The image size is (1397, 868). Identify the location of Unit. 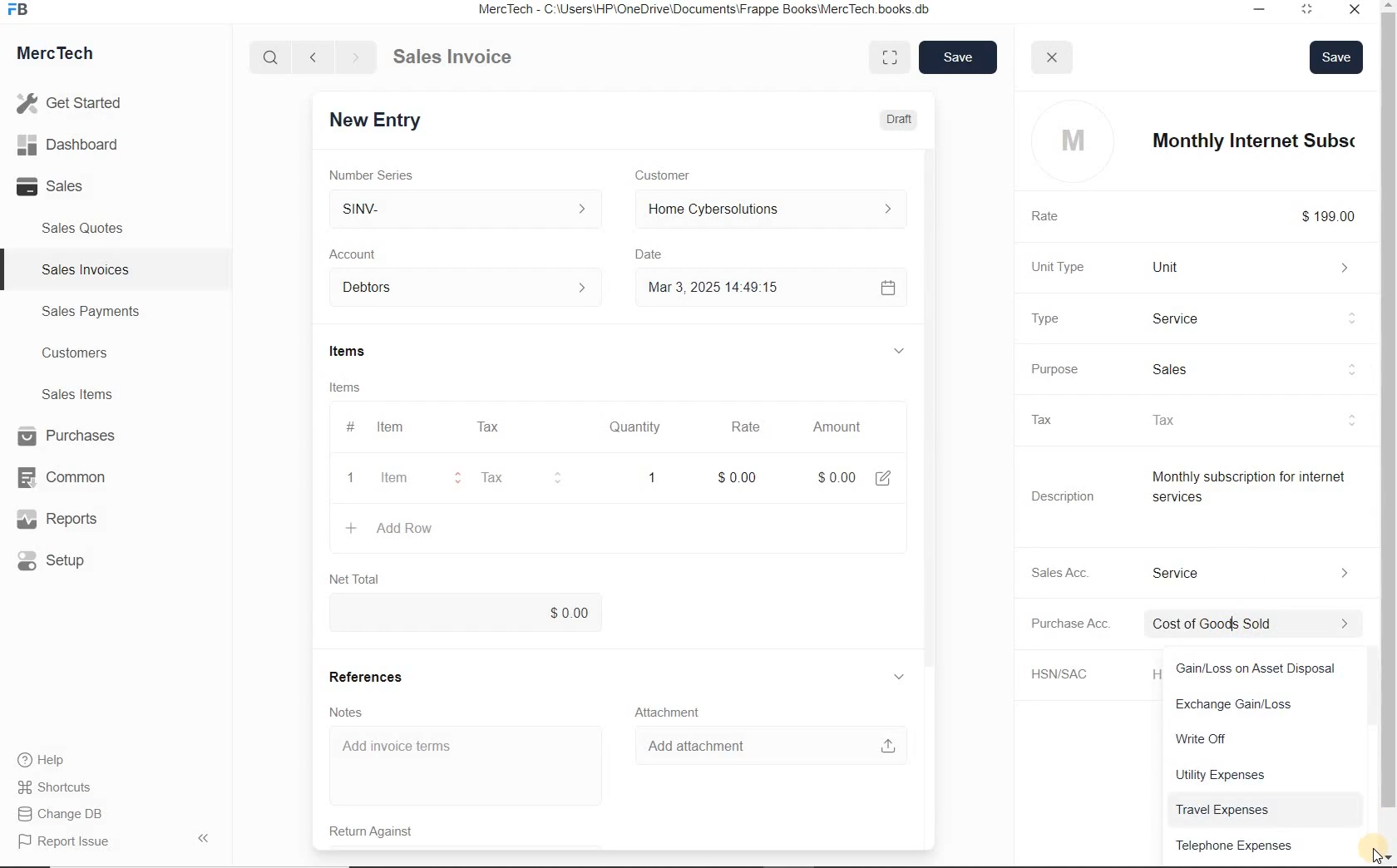
(1260, 267).